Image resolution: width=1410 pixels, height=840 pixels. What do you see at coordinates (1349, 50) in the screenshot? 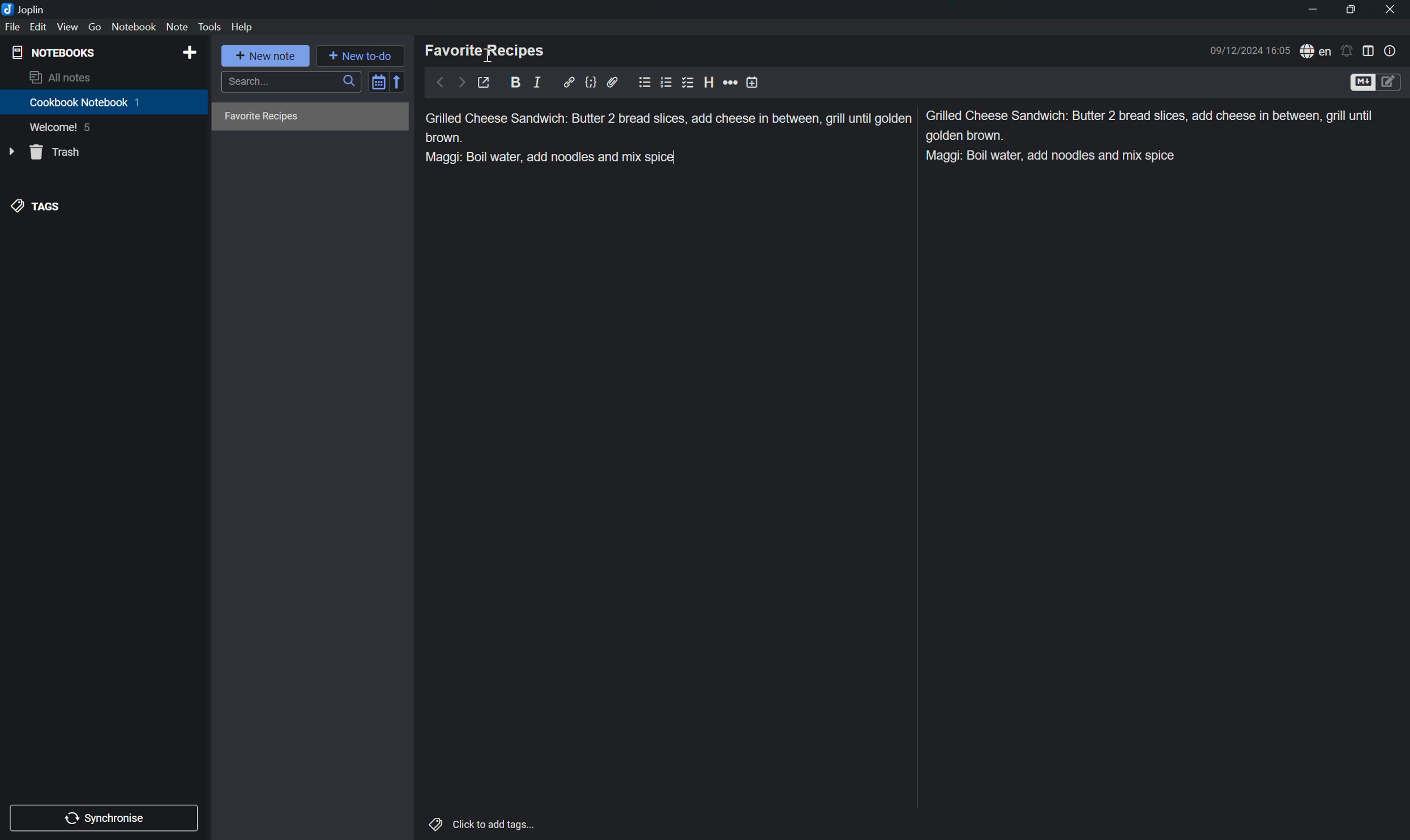
I see `Set alarm` at bounding box center [1349, 50].